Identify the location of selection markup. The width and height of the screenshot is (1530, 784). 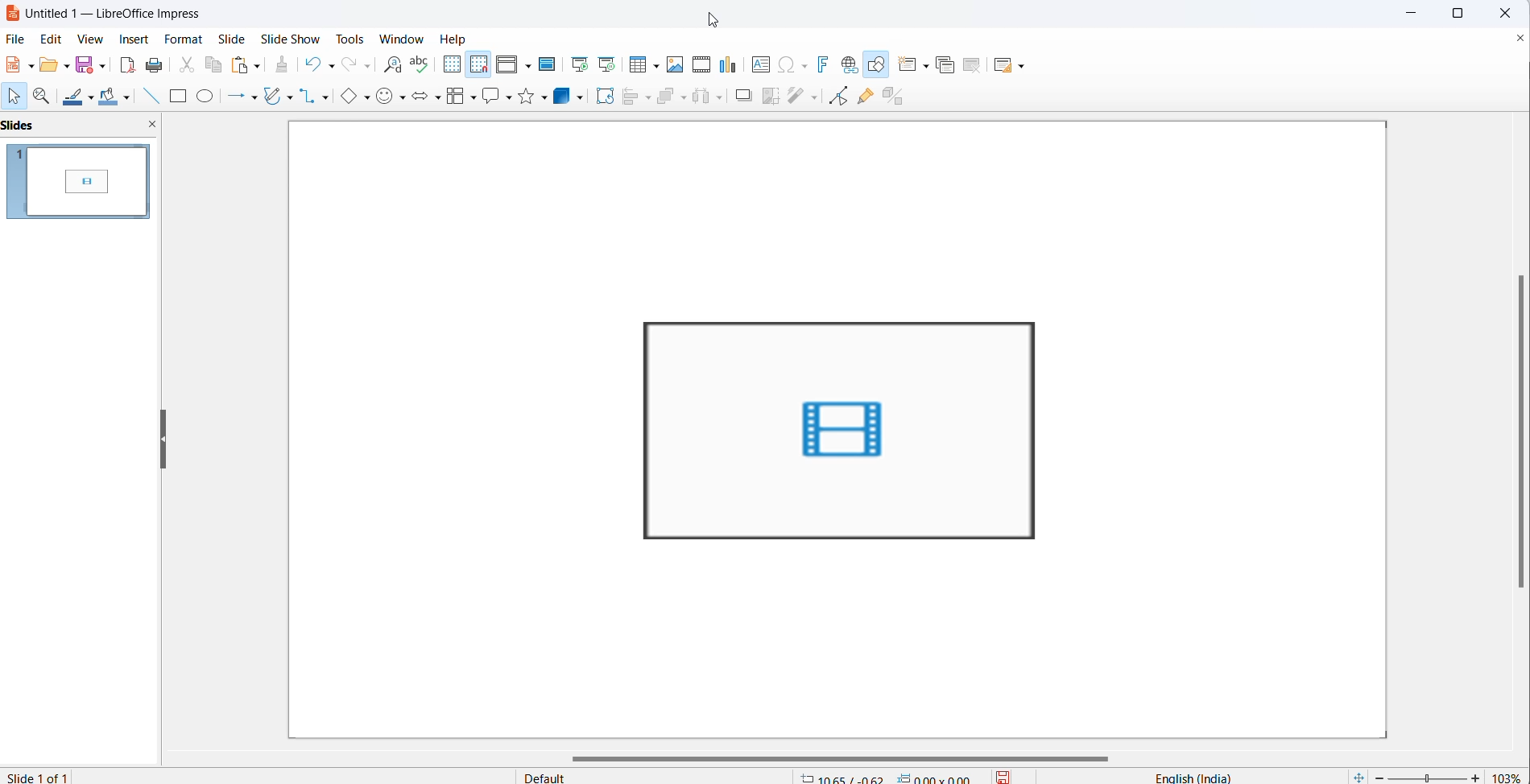
(638, 431).